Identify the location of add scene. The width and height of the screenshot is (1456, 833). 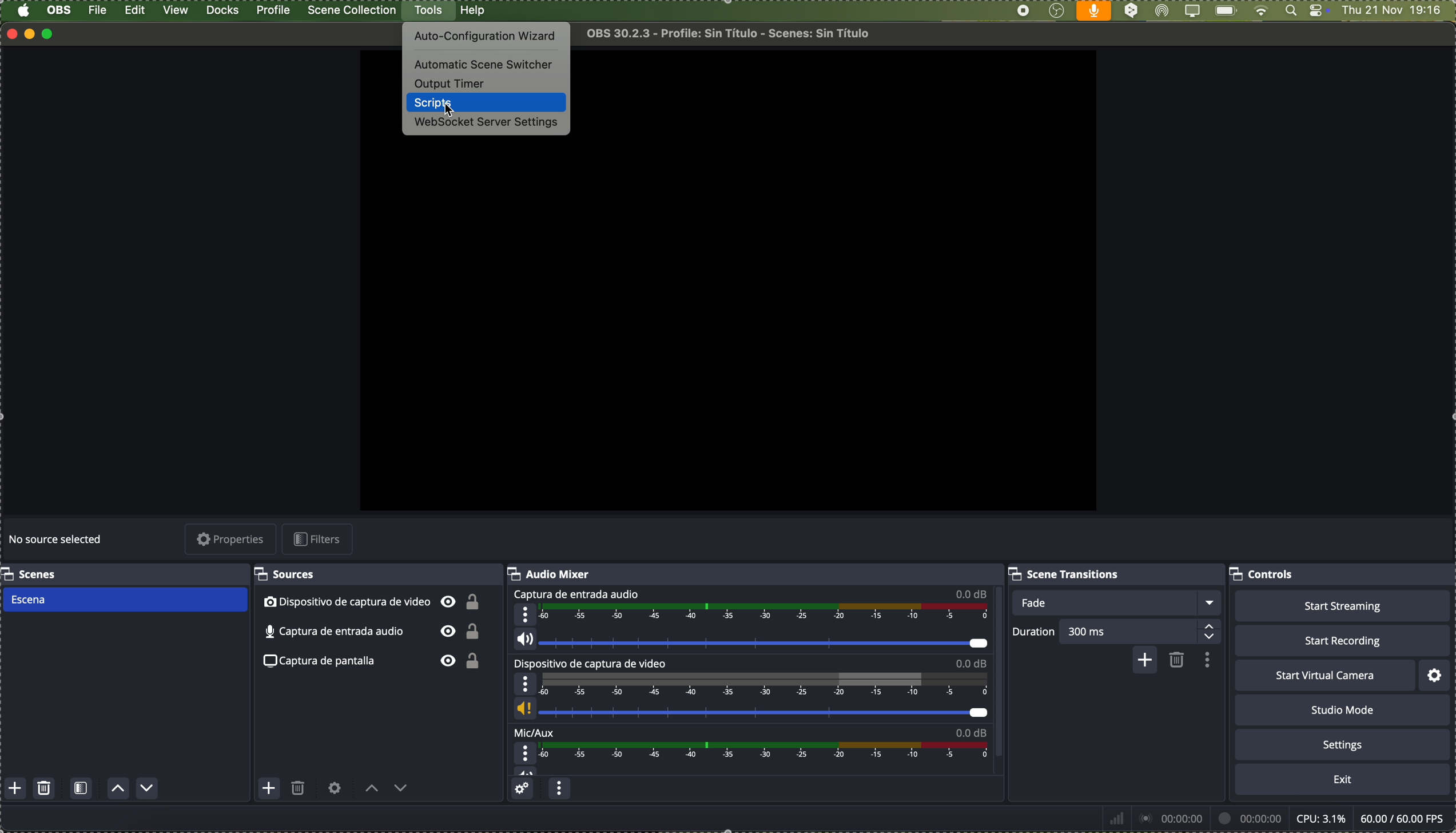
(15, 789).